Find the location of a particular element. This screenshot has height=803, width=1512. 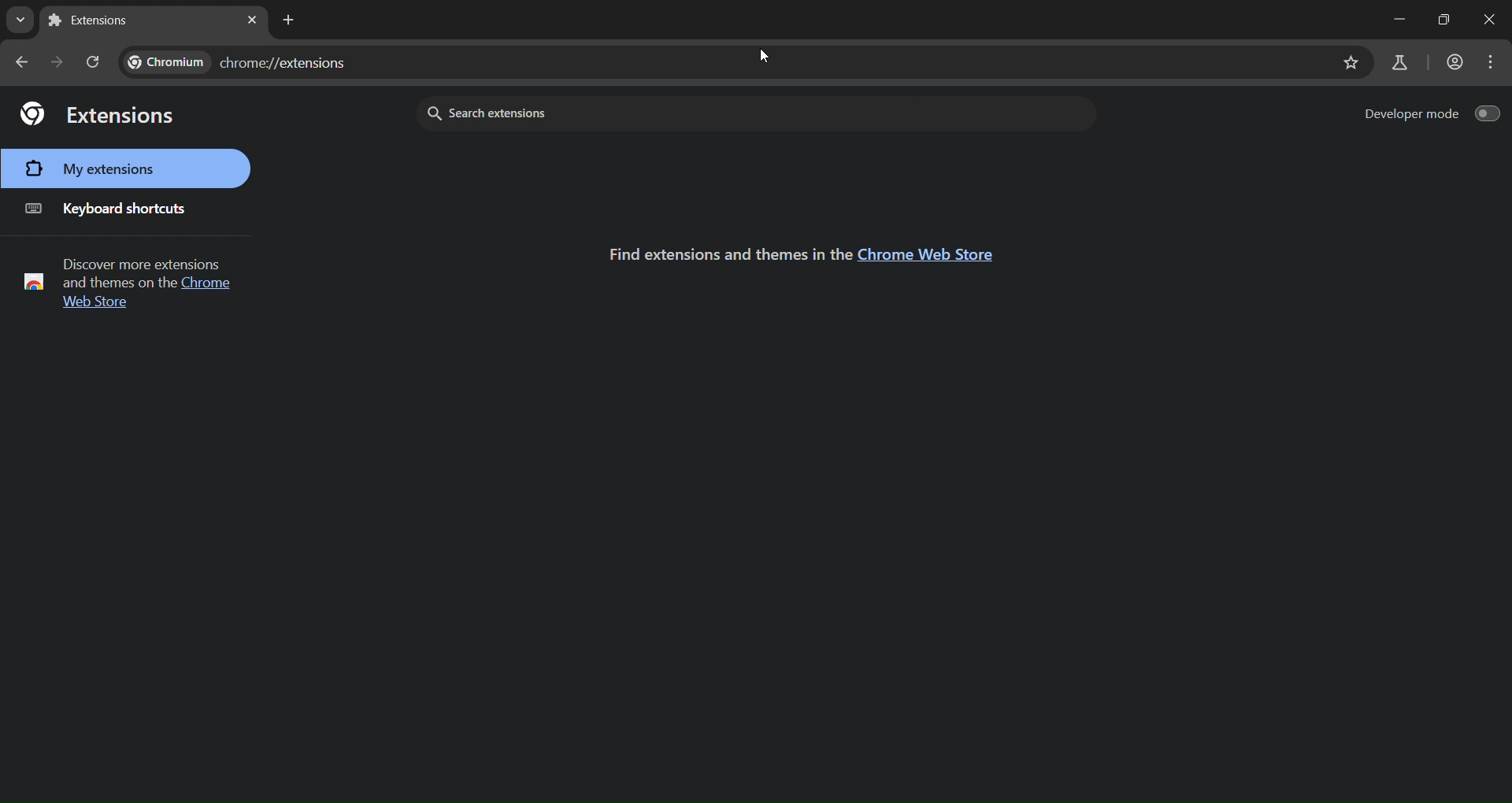

icon is located at coordinates (32, 281).